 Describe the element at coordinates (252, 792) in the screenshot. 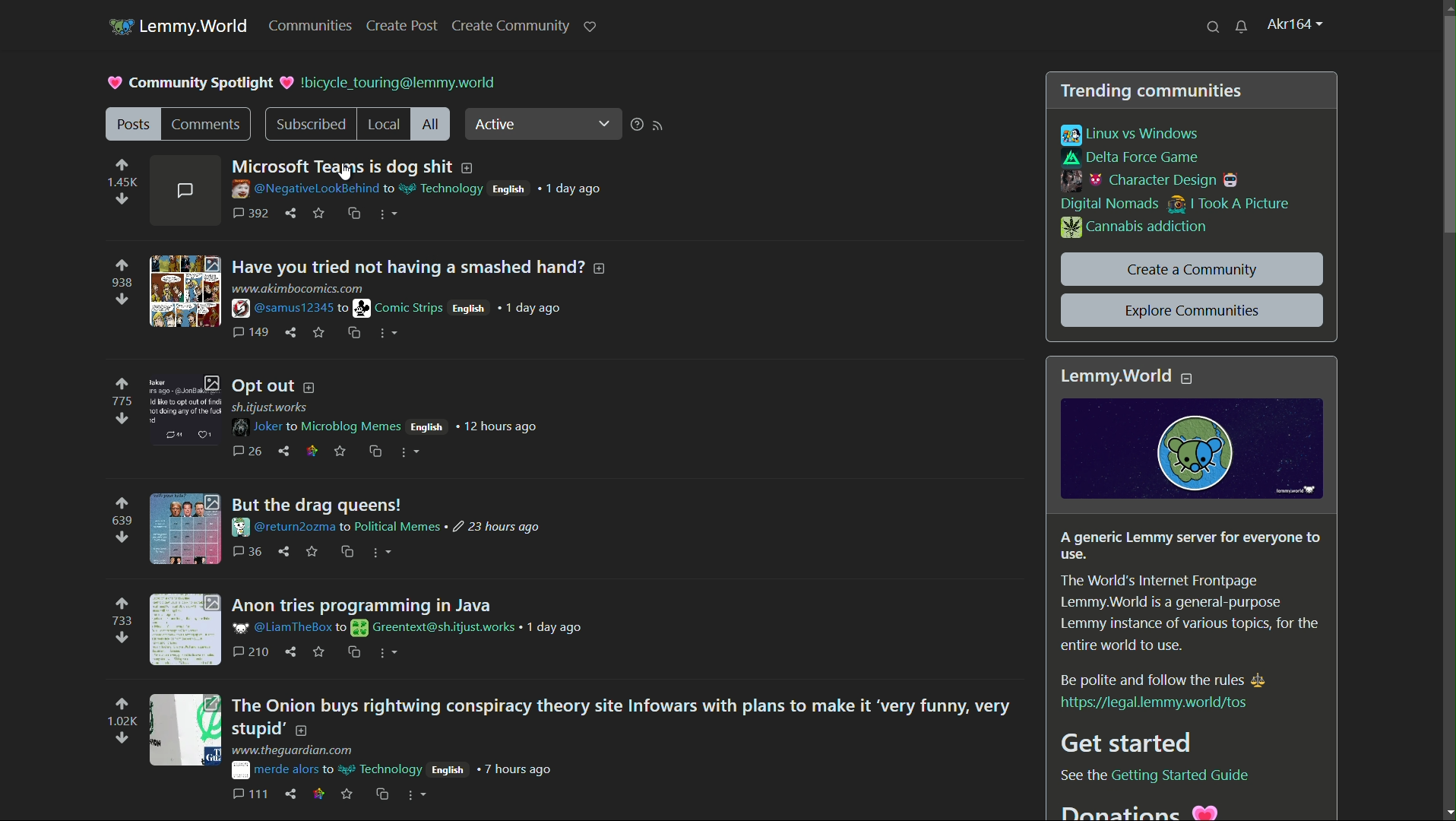

I see `comments` at that location.